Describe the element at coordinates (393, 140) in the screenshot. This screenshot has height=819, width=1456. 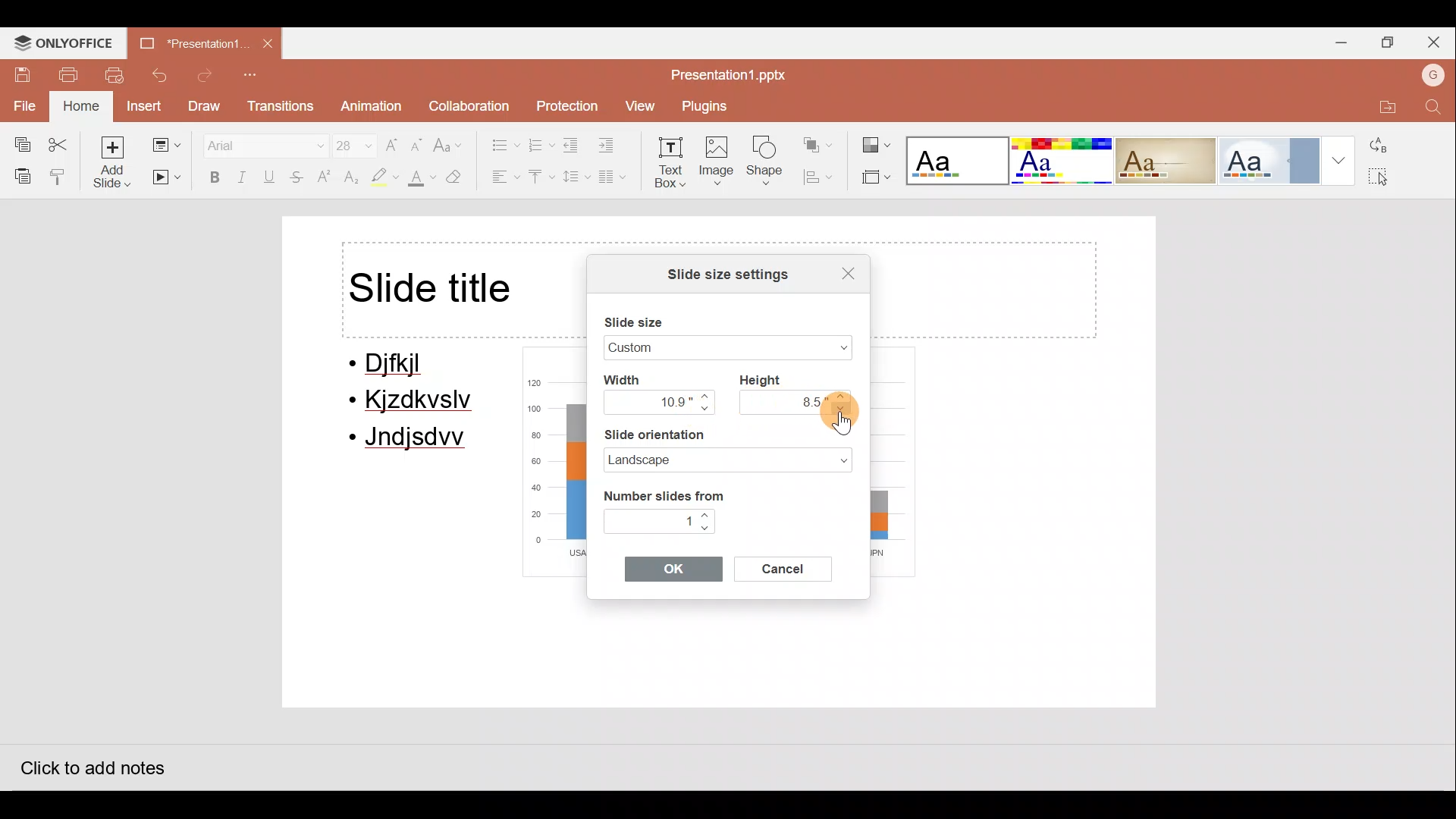
I see `Increase font size` at that location.